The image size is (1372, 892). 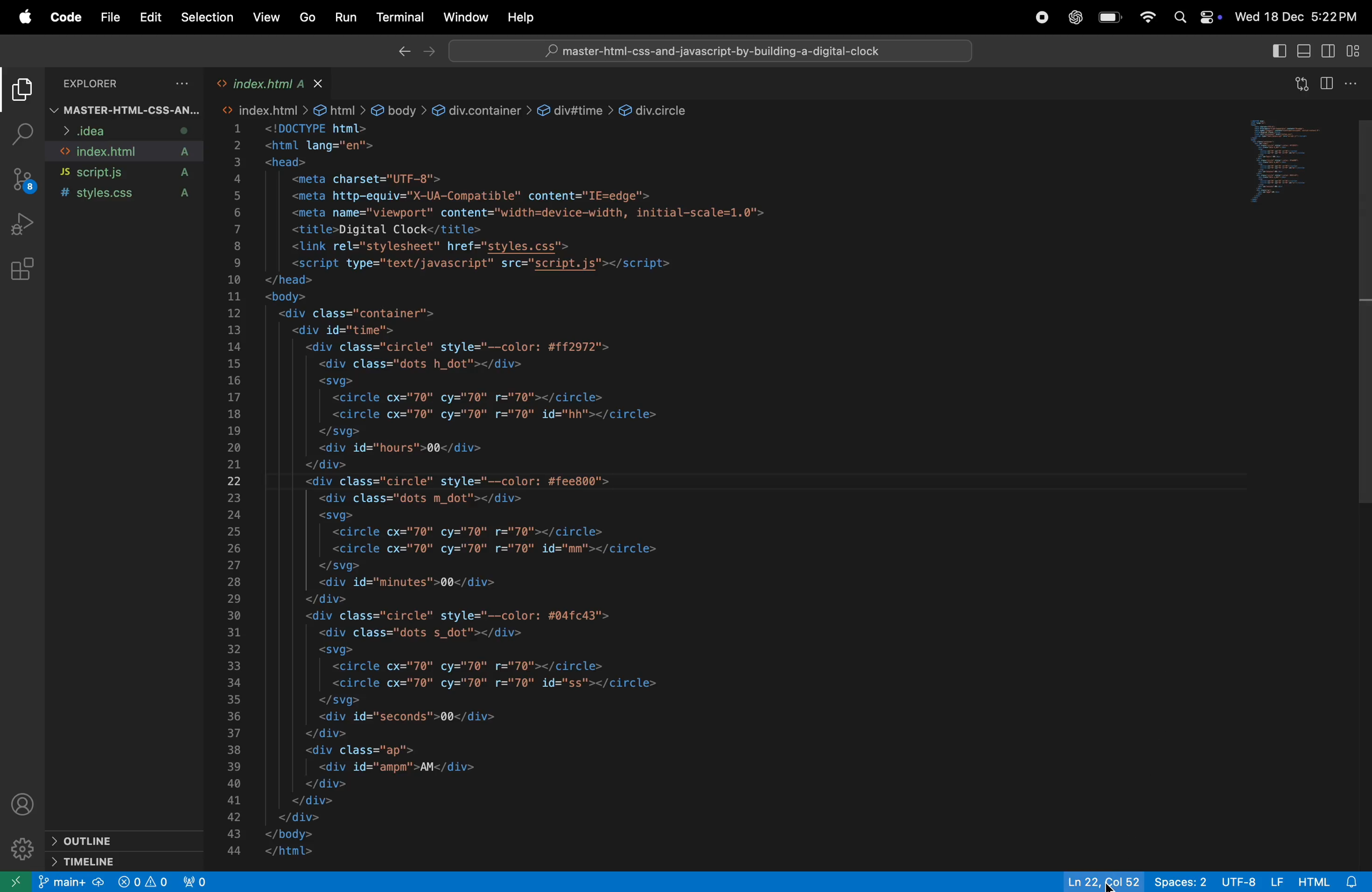 What do you see at coordinates (430, 54) in the screenshot?
I see `forward` at bounding box center [430, 54].